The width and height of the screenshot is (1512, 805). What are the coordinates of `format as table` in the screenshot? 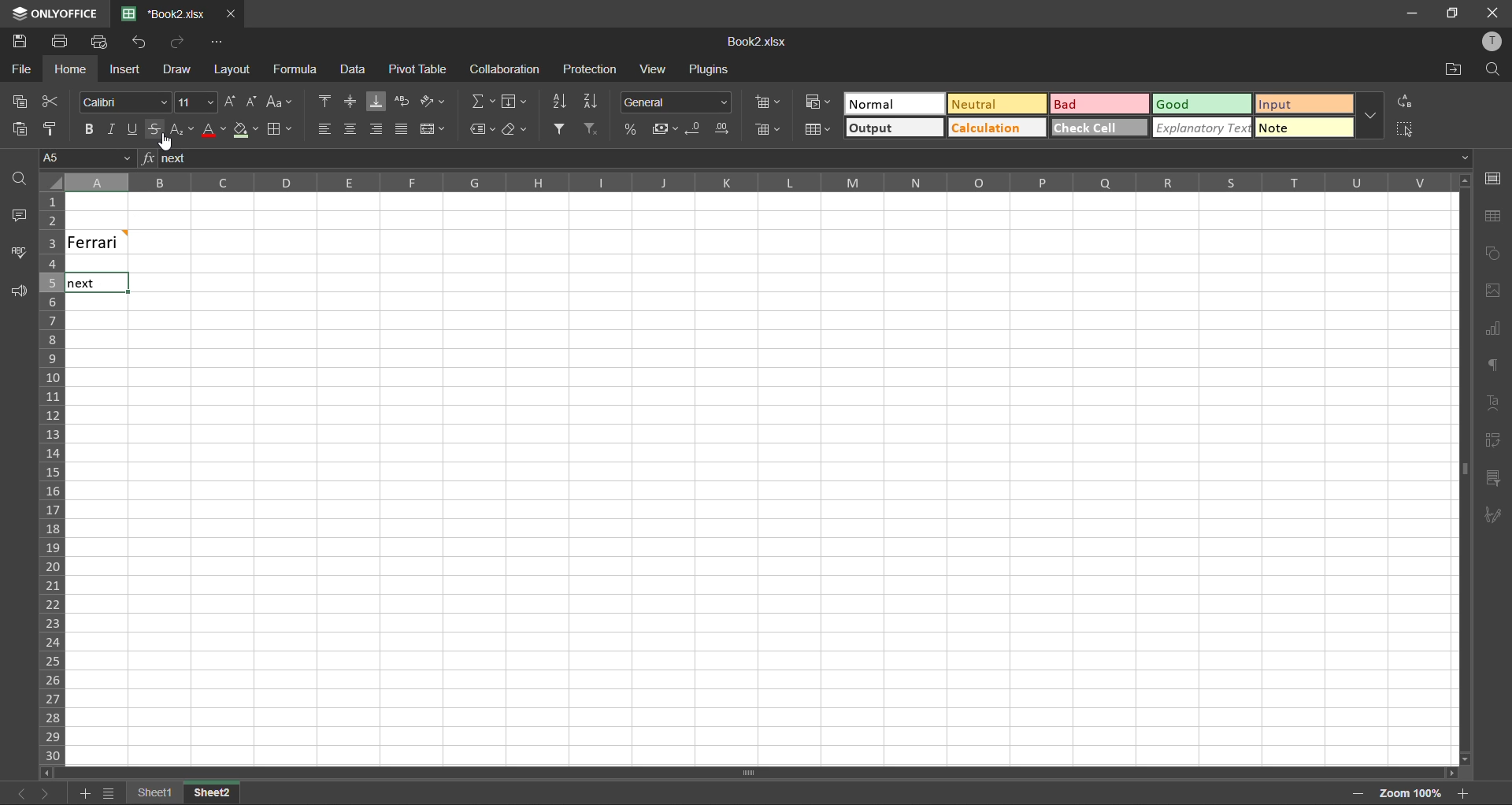 It's located at (817, 128).